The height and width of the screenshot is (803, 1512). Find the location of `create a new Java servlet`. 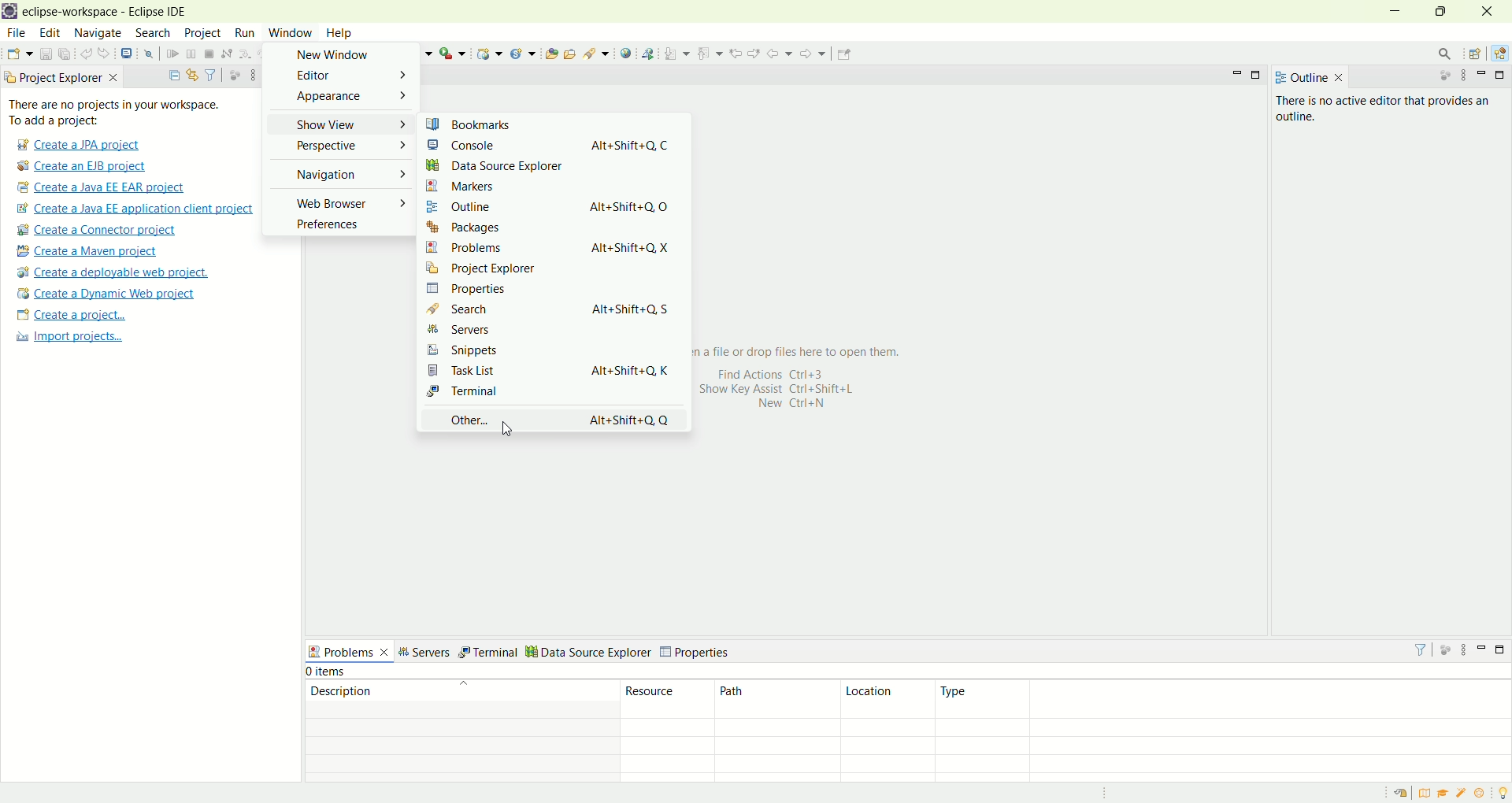

create a new Java servlet is located at coordinates (523, 53).